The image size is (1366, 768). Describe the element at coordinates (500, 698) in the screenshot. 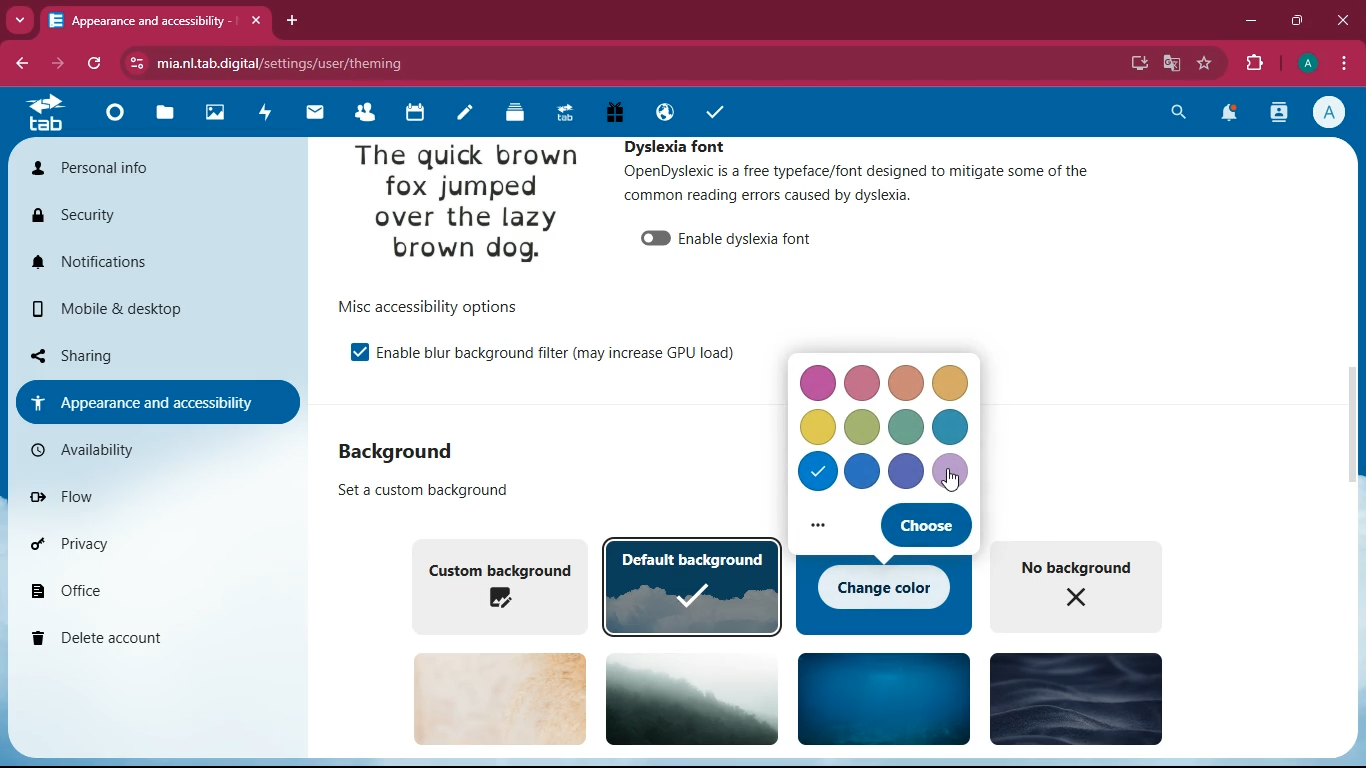

I see `background` at that location.